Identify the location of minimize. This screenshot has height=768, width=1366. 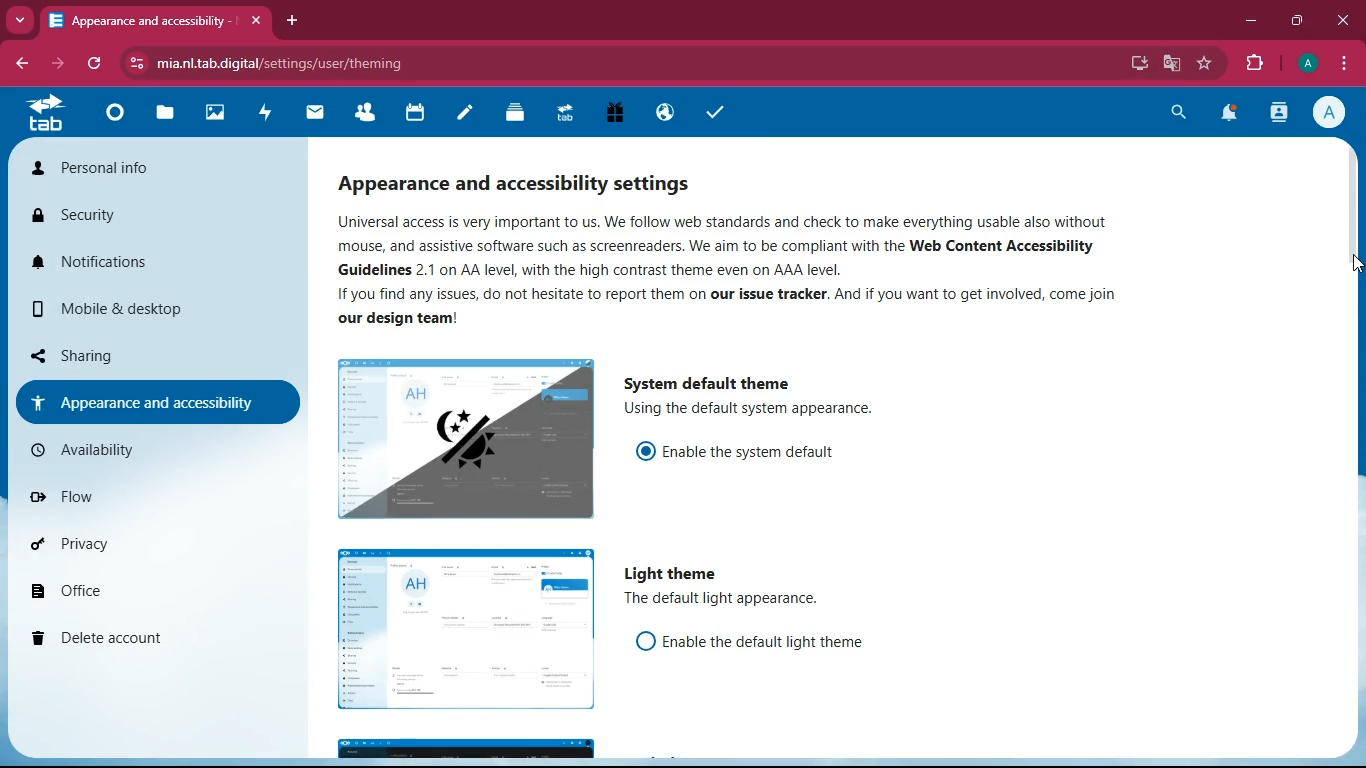
(1252, 21).